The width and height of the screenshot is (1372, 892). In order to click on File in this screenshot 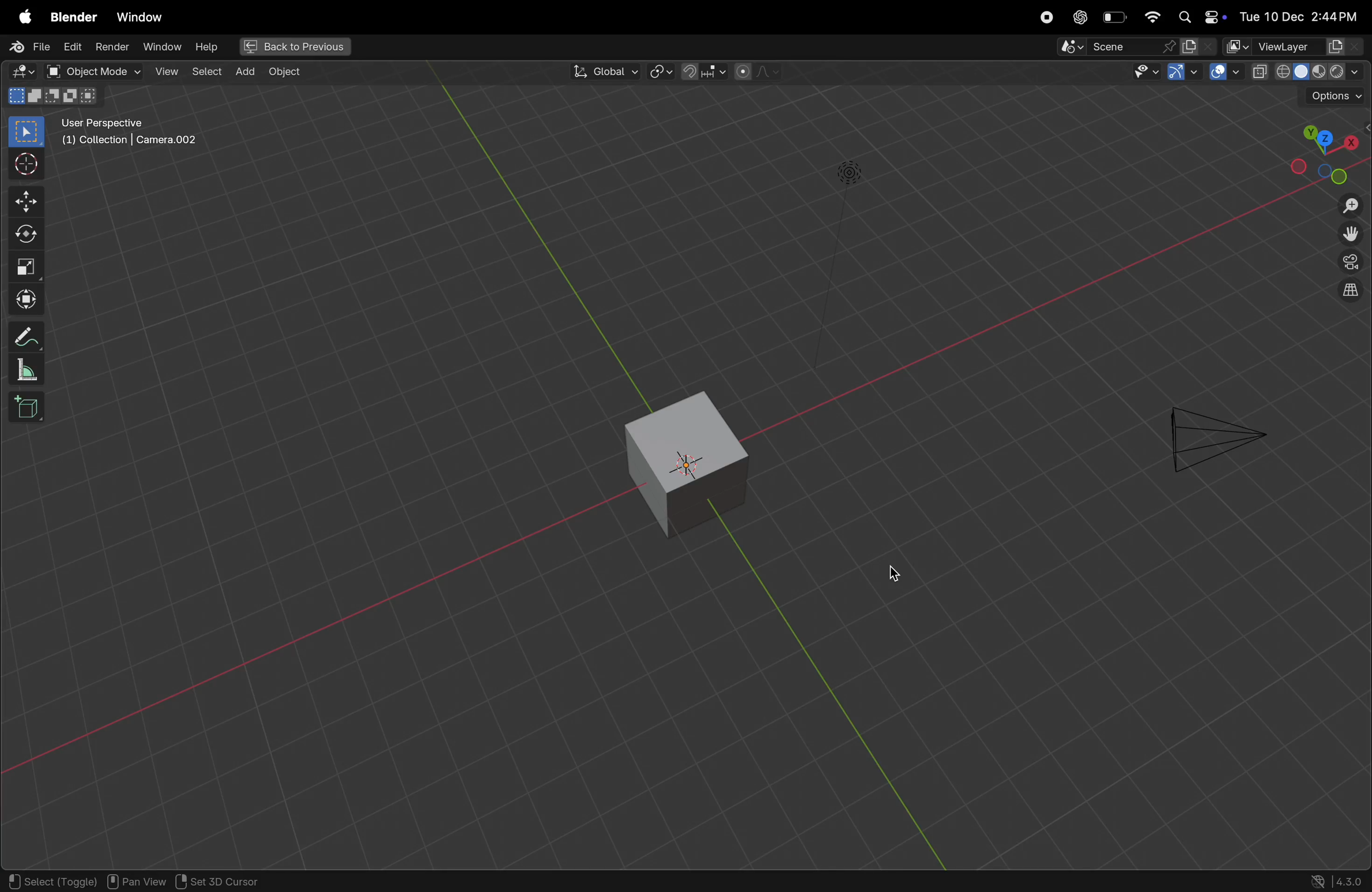, I will do `click(31, 46)`.